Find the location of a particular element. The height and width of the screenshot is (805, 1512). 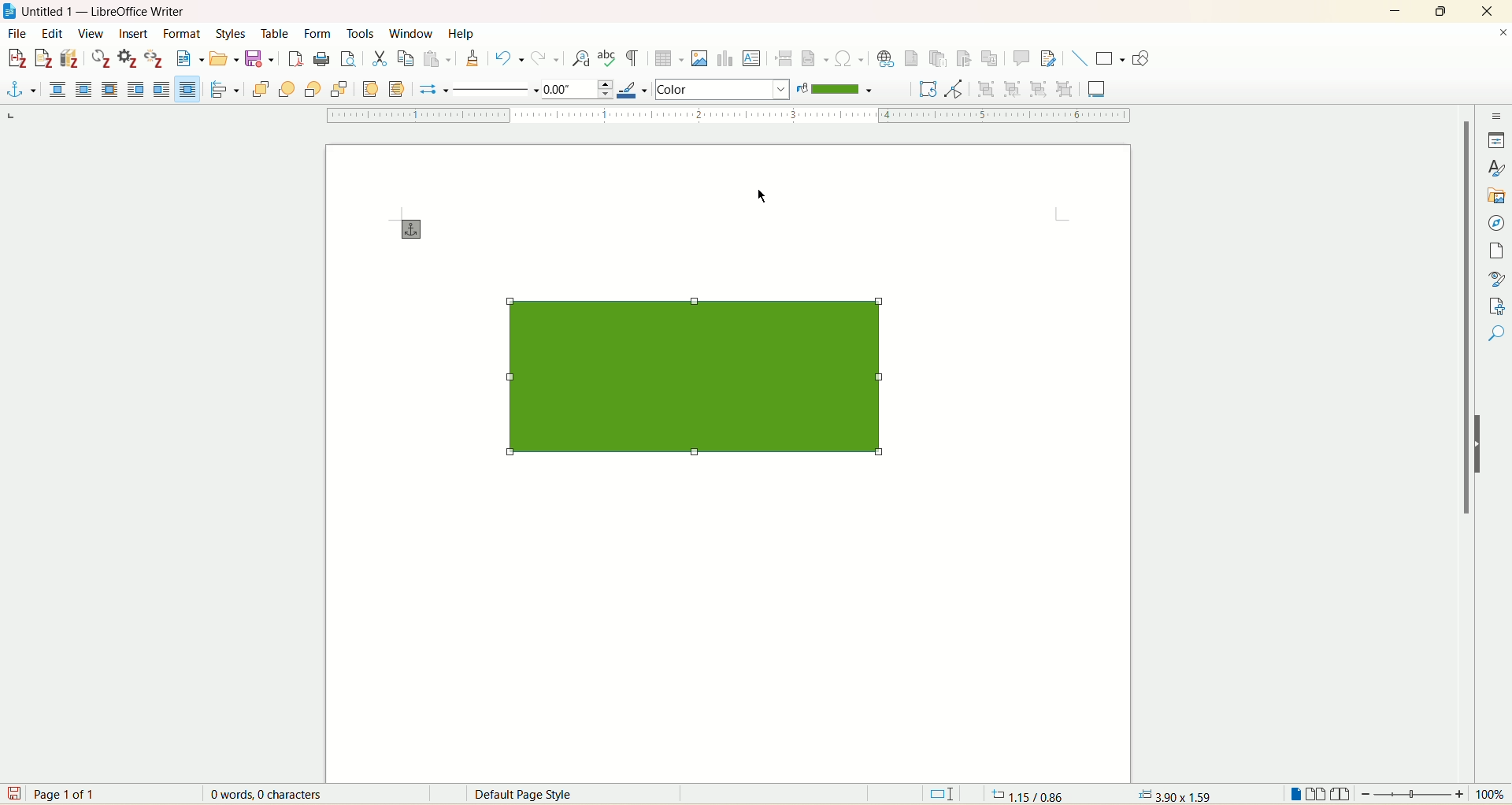

accessibility check is located at coordinates (1495, 334).